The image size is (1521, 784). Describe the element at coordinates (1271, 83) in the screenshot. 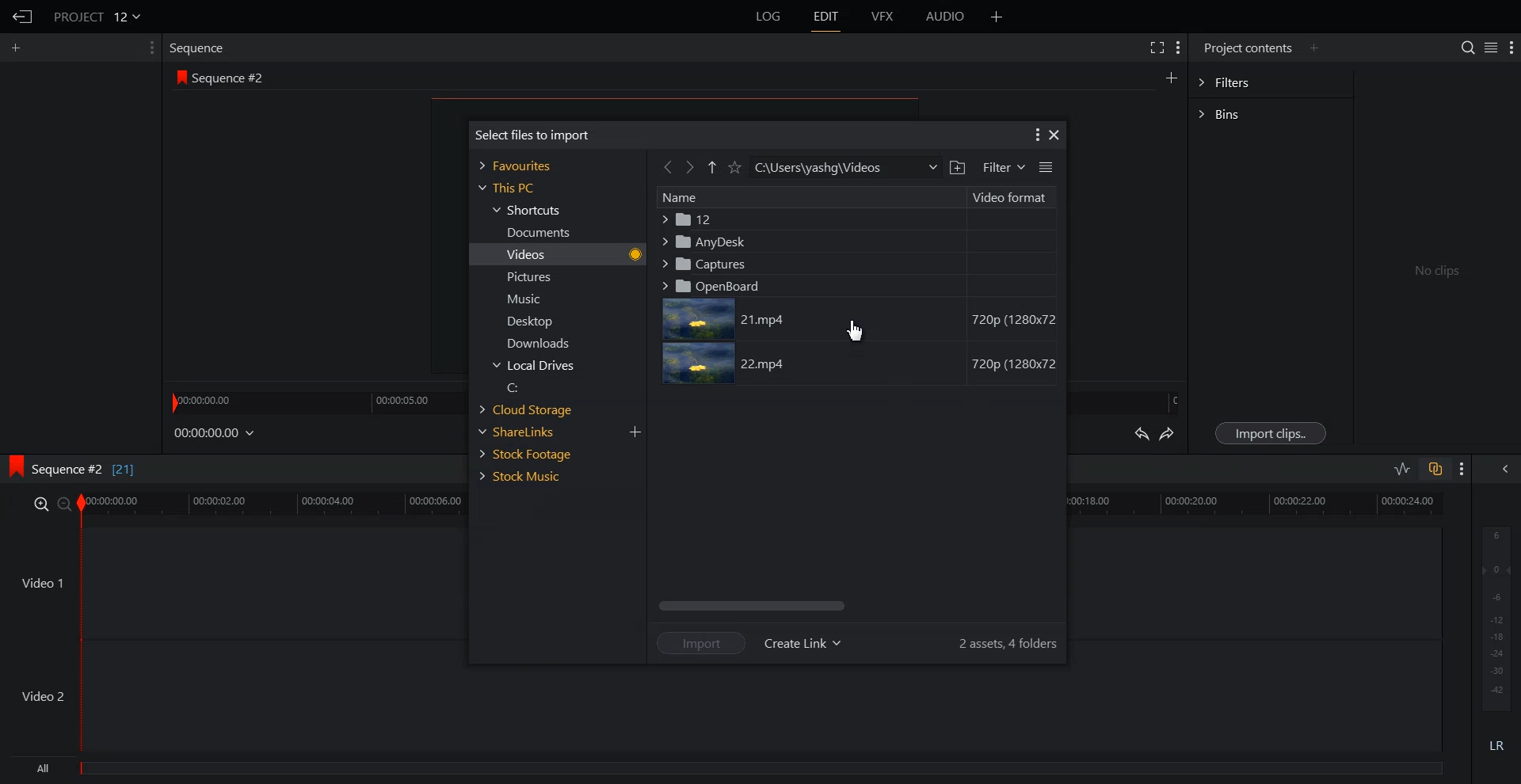

I see `Filters` at that location.